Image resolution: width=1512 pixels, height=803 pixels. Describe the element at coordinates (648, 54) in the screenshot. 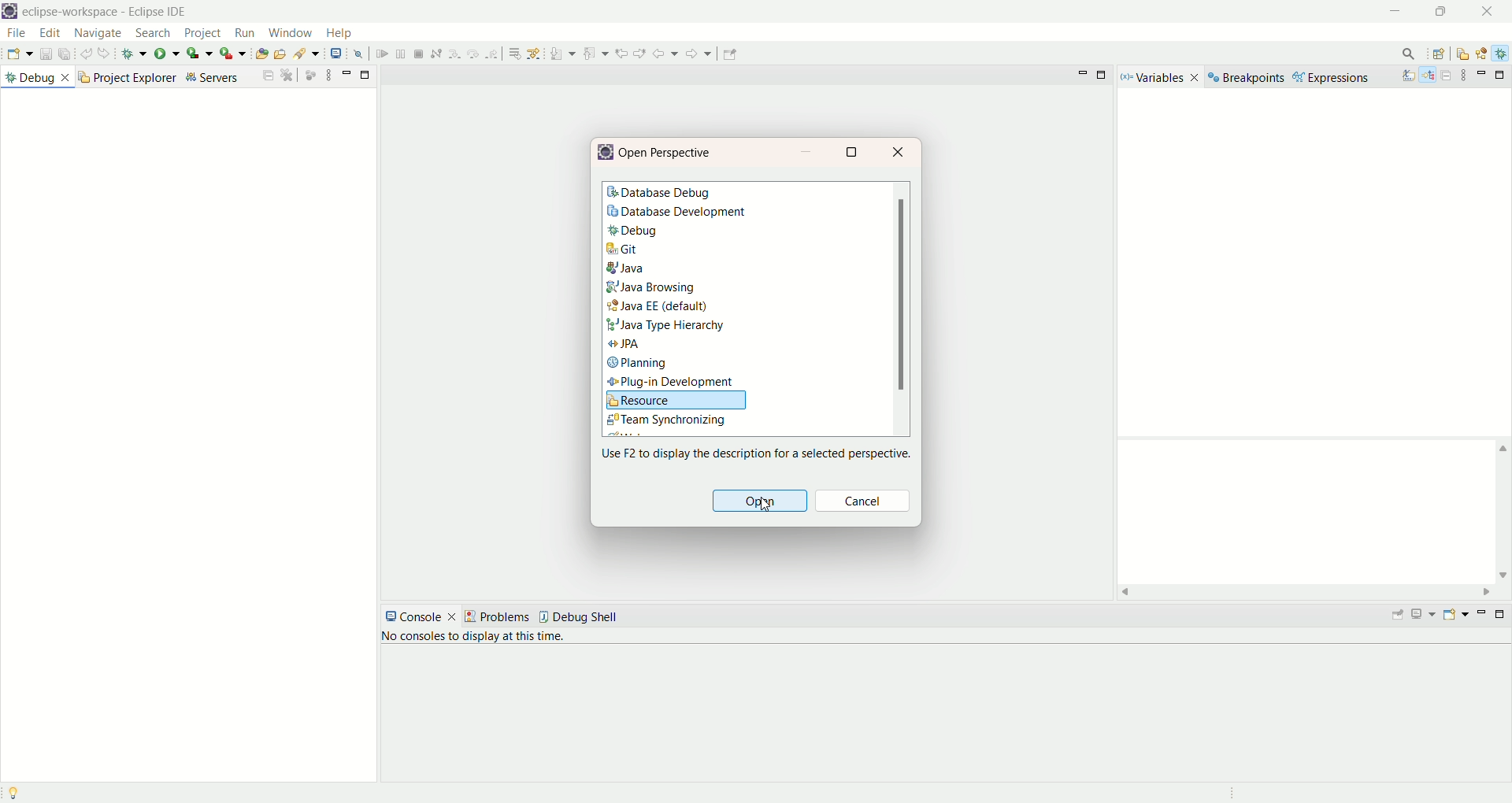

I see `use step filters` at that location.